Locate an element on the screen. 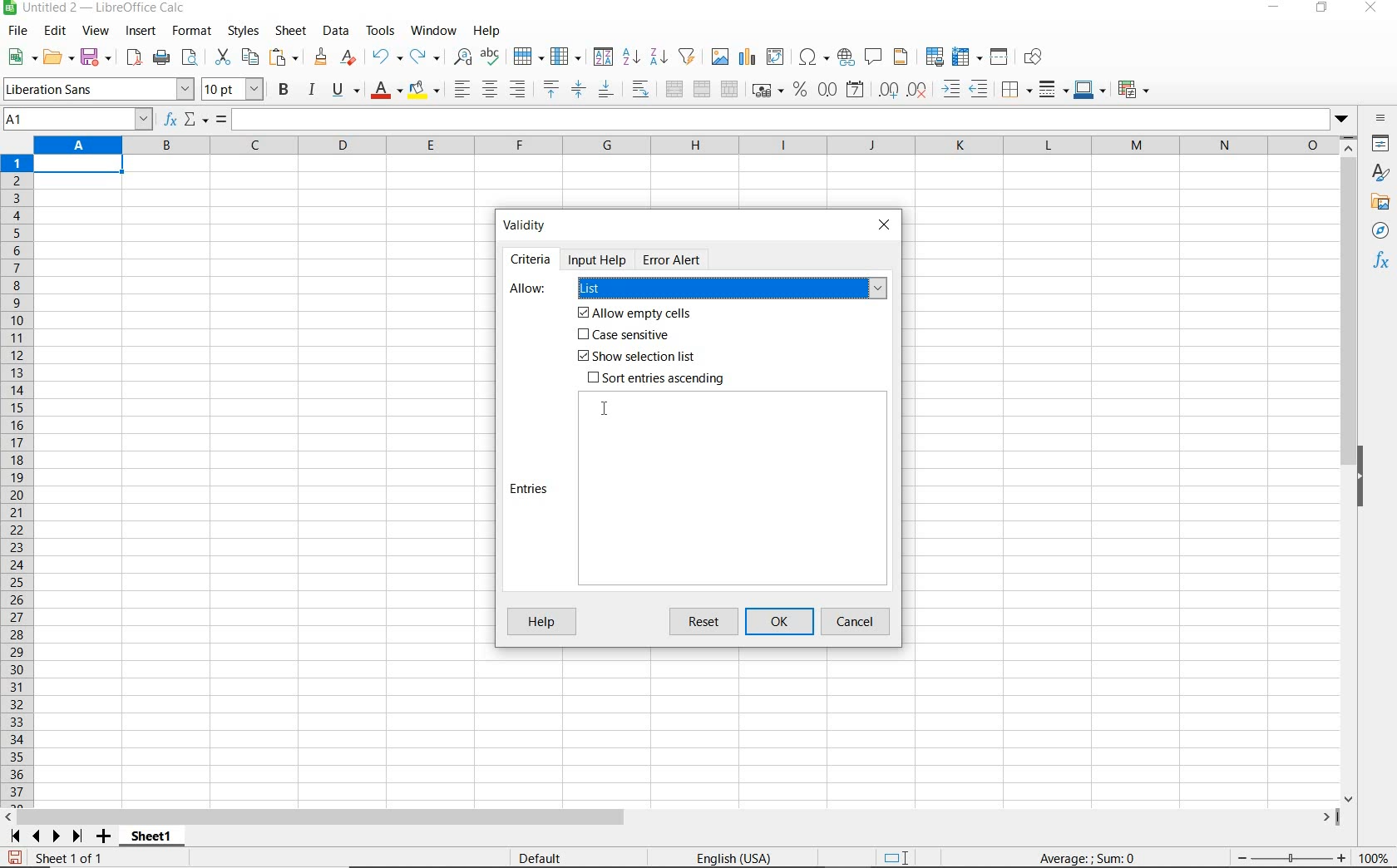 This screenshot has height=868, width=1397. insert or edit pivot table is located at coordinates (777, 57).